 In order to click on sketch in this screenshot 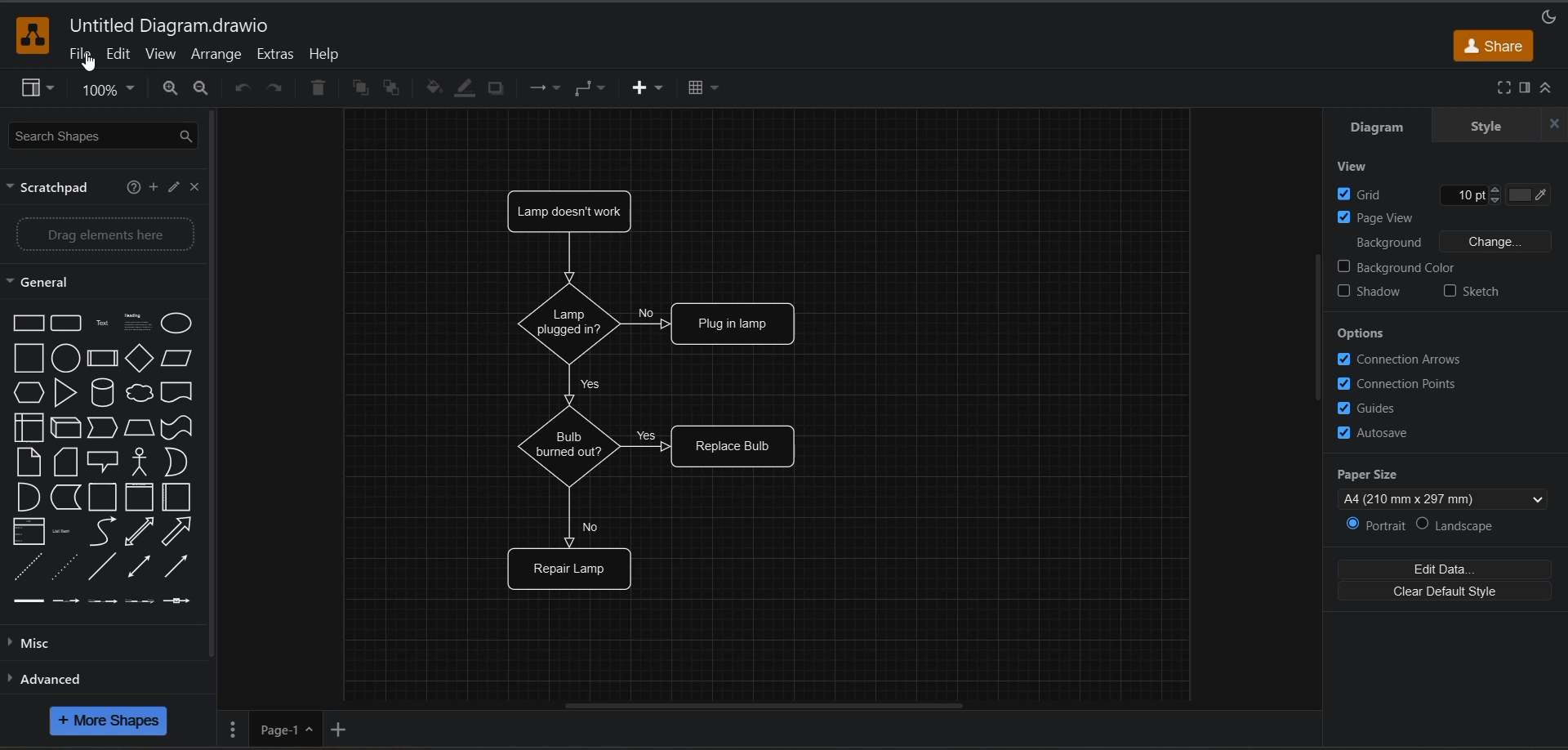, I will do `click(1472, 290)`.